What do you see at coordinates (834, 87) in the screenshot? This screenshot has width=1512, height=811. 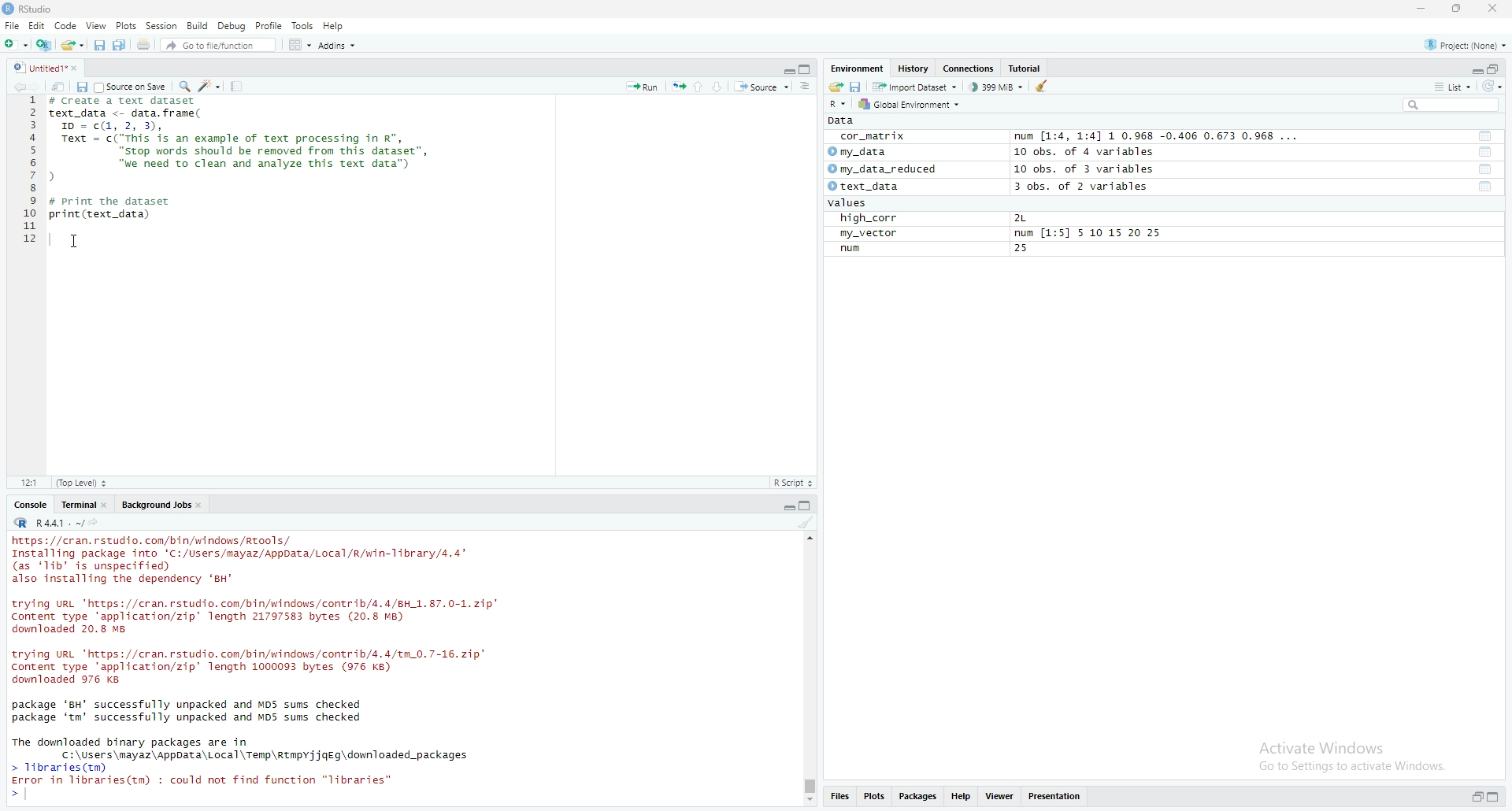 I see `load workspace` at bounding box center [834, 87].